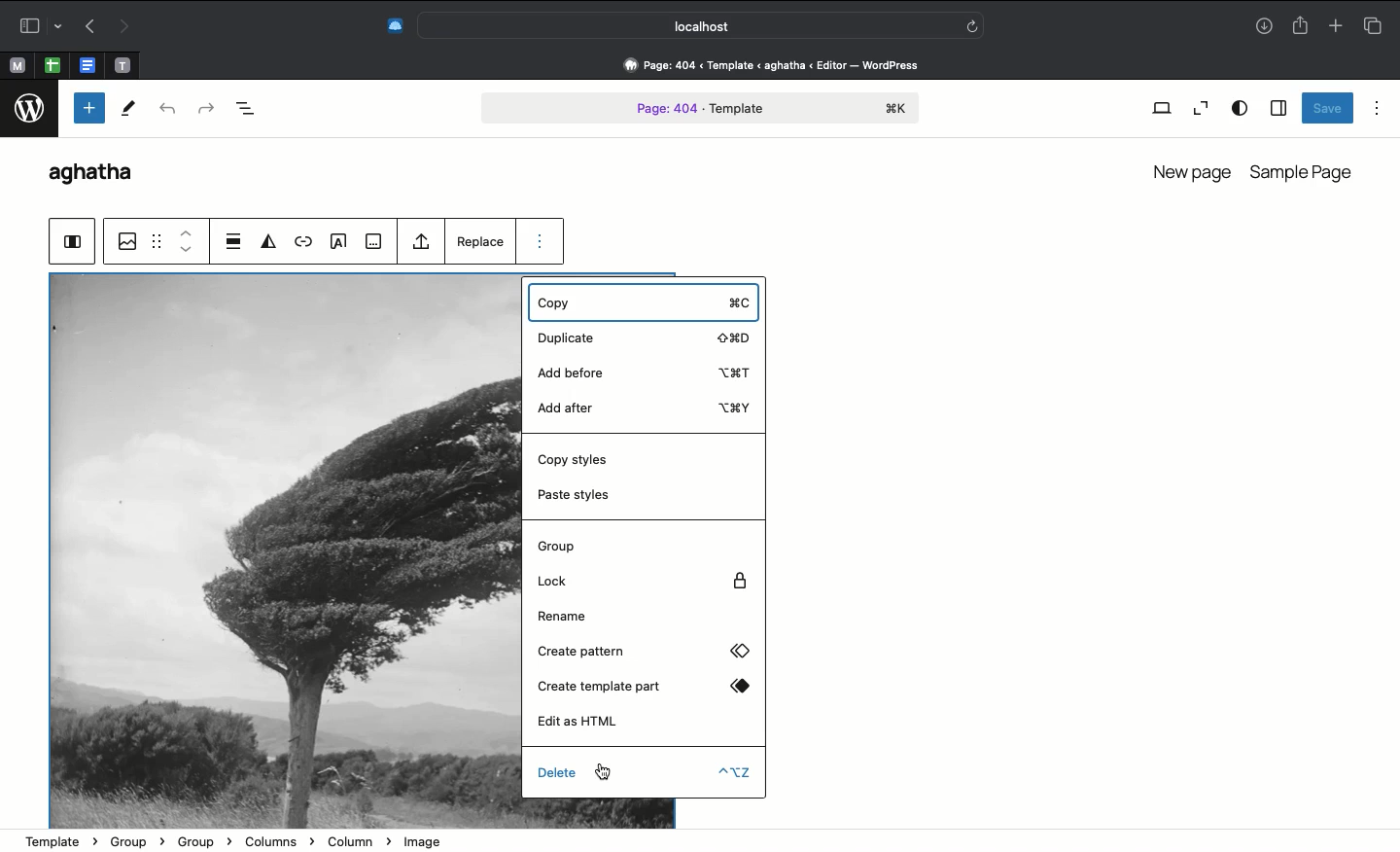  What do you see at coordinates (569, 548) in the screenshot?
I see `Group` at bounding box center [569, 548].